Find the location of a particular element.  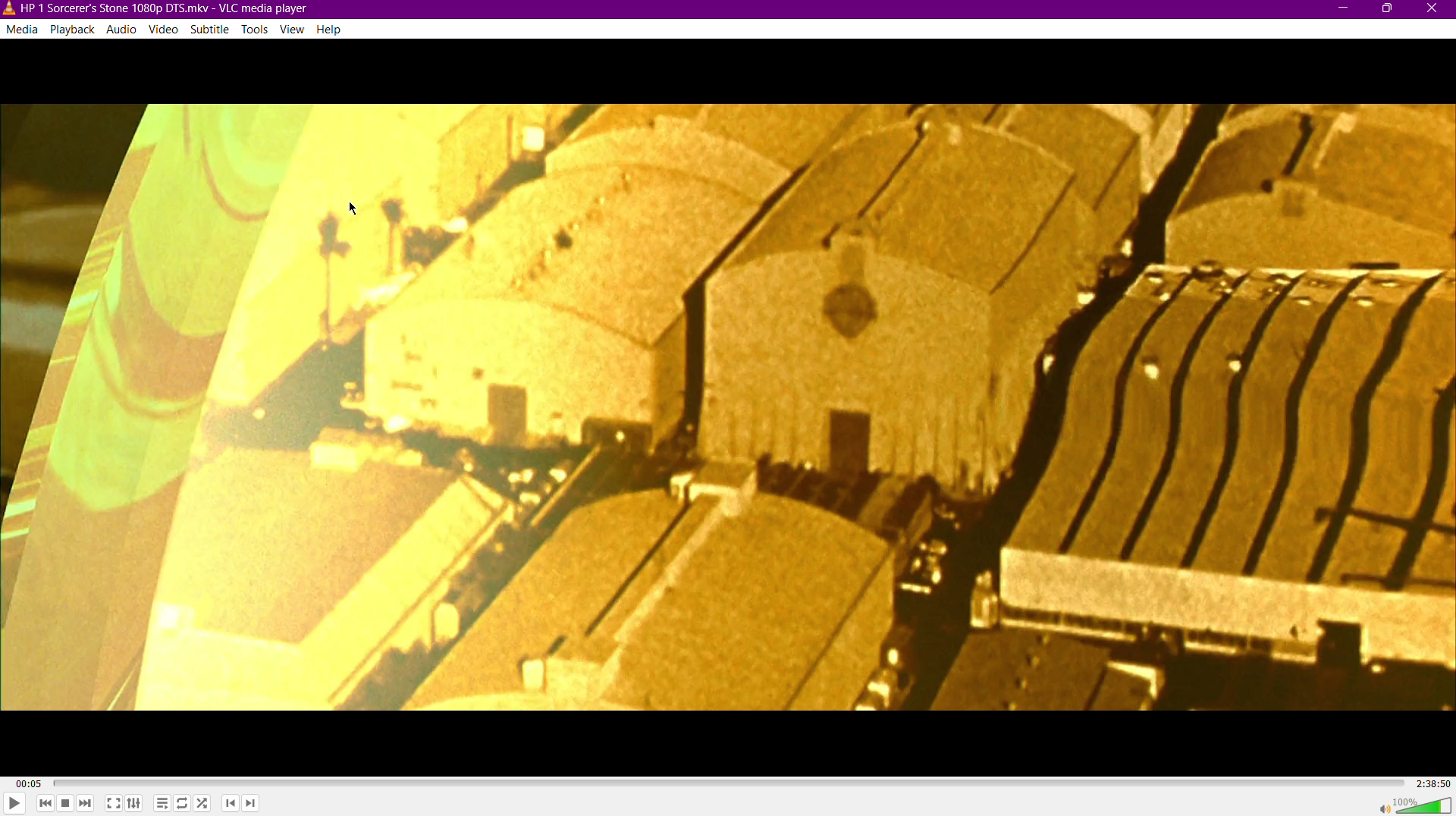

2:38:50 is located at coordinates (1435, 781).